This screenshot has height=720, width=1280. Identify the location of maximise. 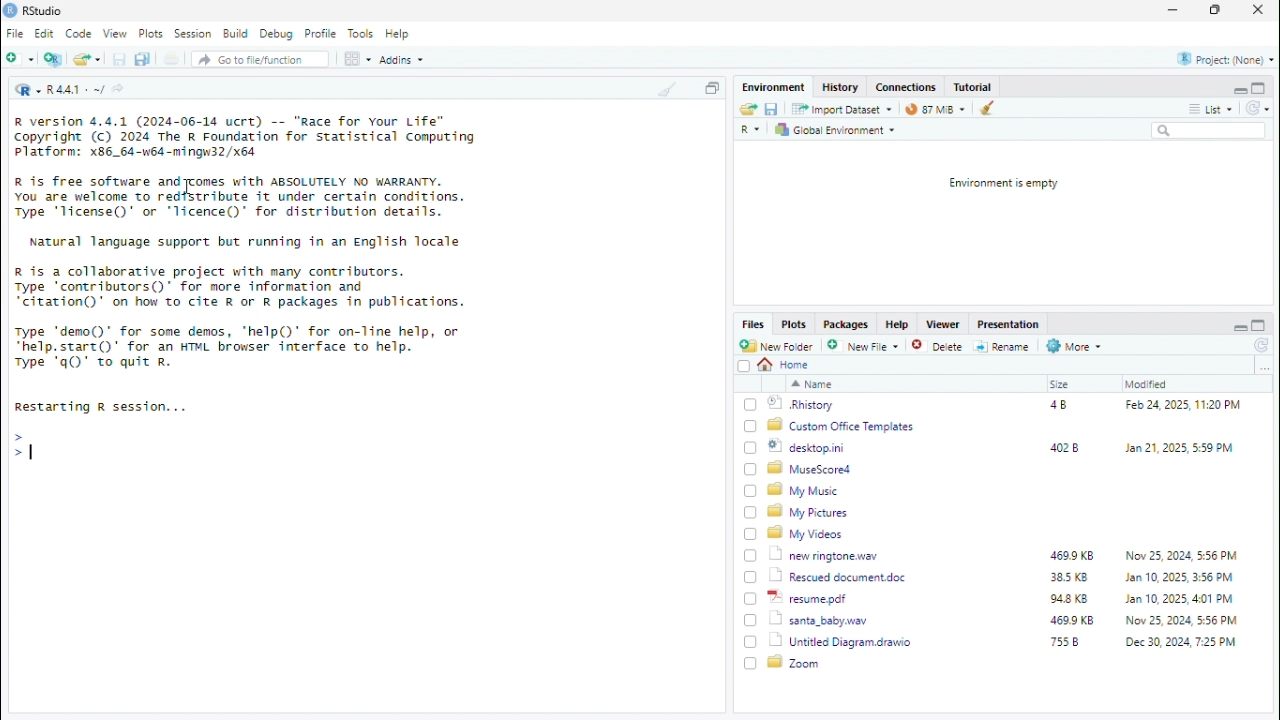
(1259, 87).